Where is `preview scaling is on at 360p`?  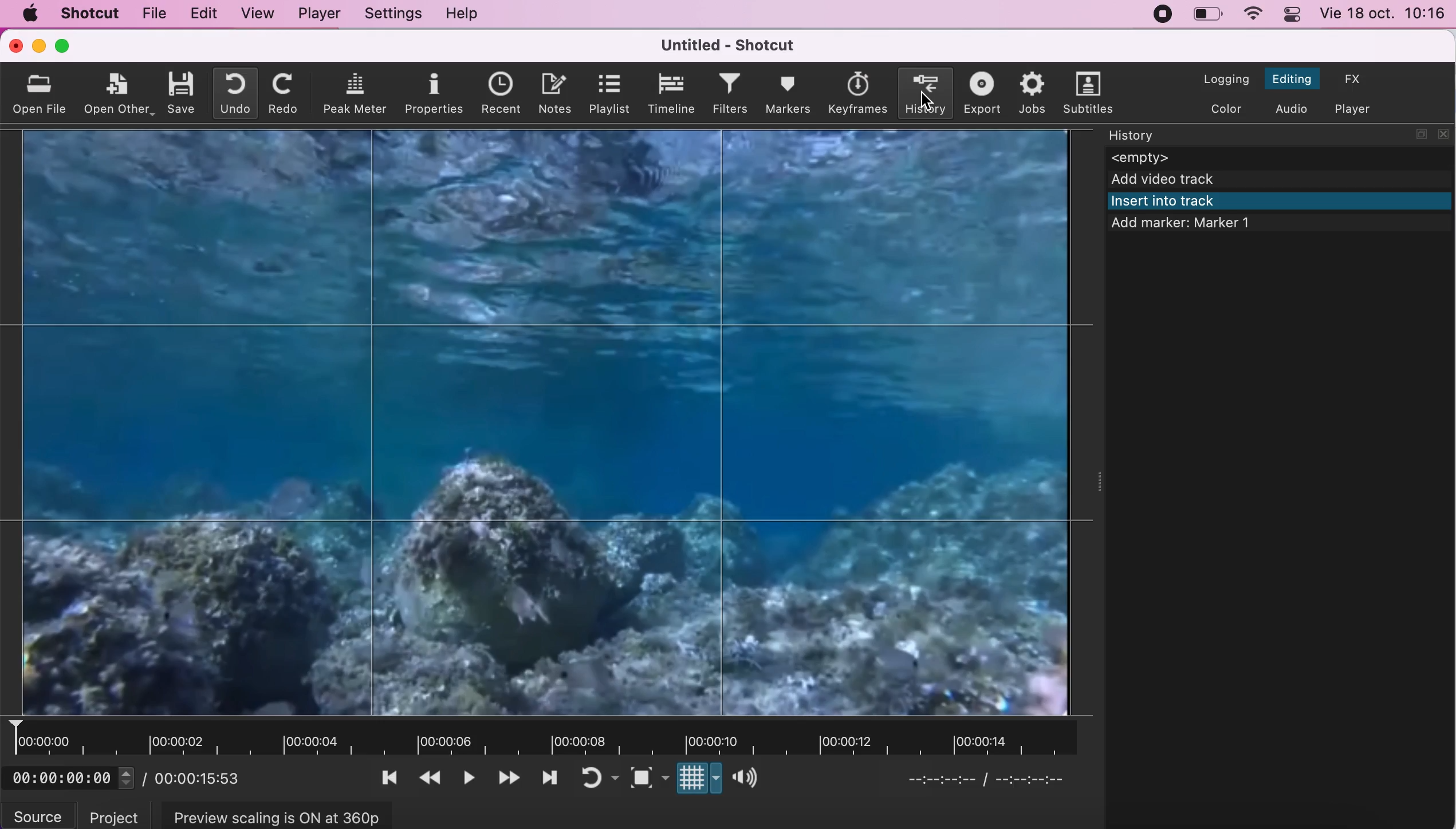 preview scaling is on at 360p is located at coordinates (282, 814).